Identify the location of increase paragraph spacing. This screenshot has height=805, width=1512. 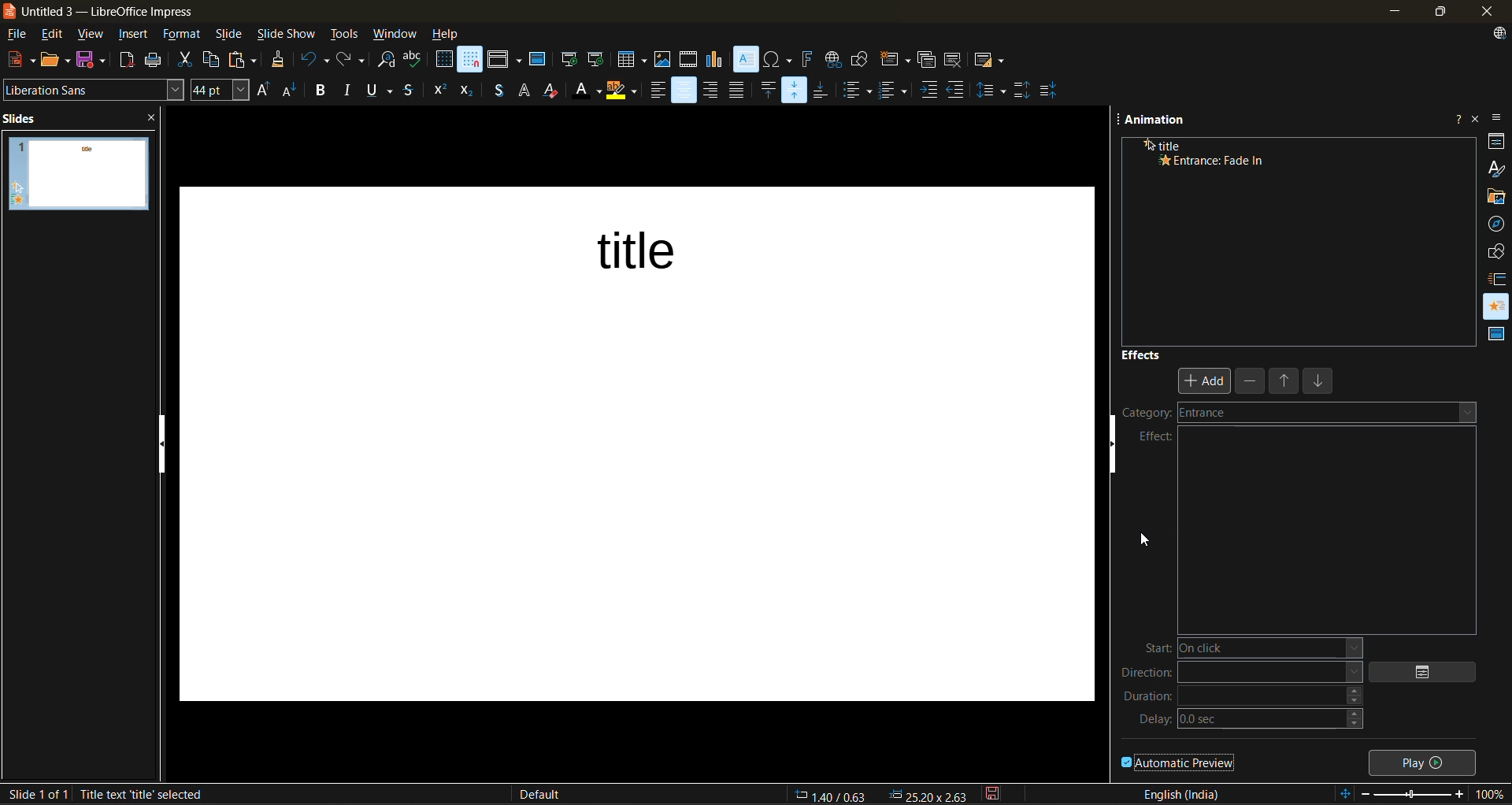
(1021, 91).